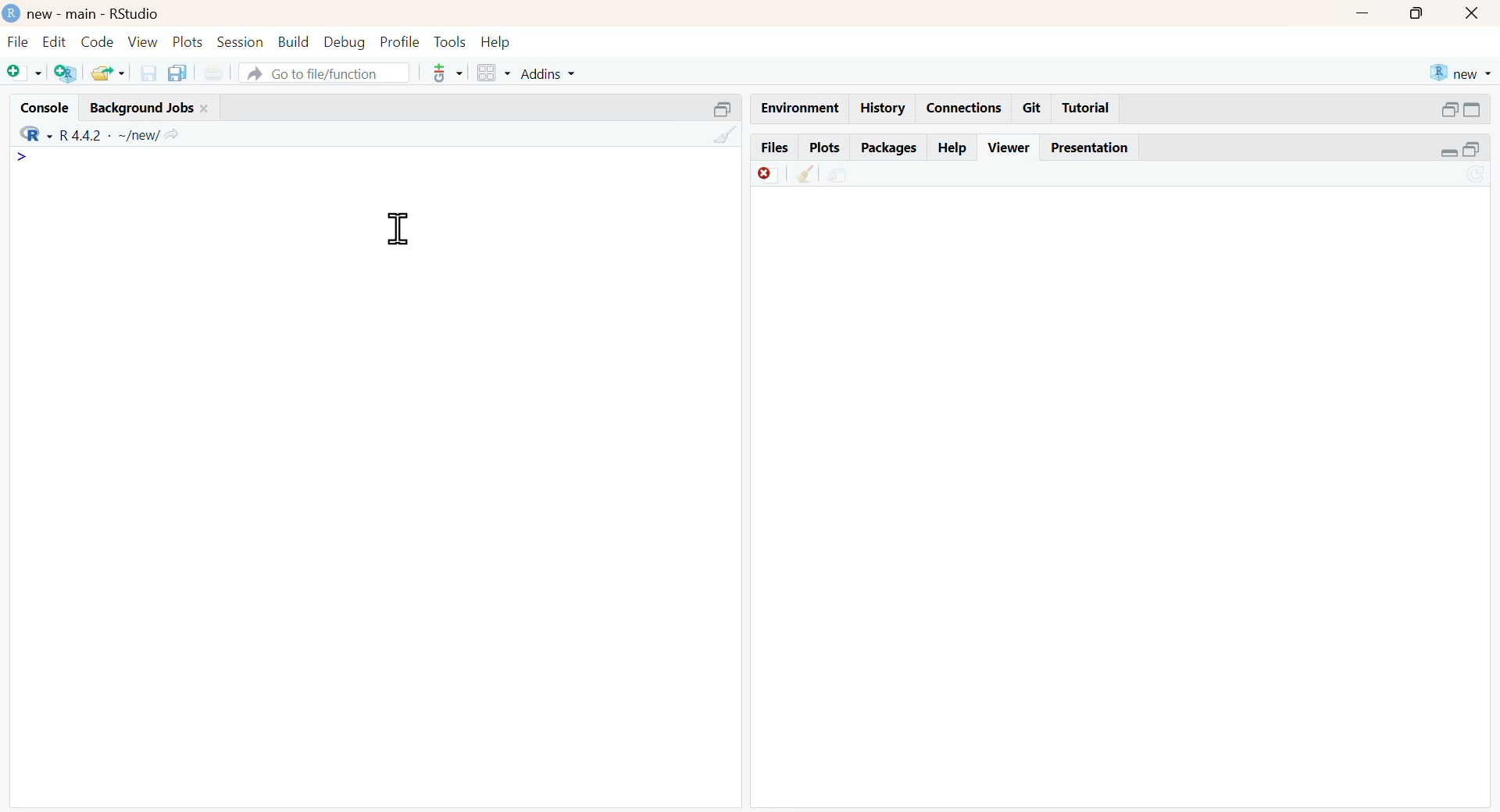 This screenshot has width=1500, height=812. Describe the element at coordinates (114, 13) in the screenshot. I see `) new - main - RStudio` at that location.